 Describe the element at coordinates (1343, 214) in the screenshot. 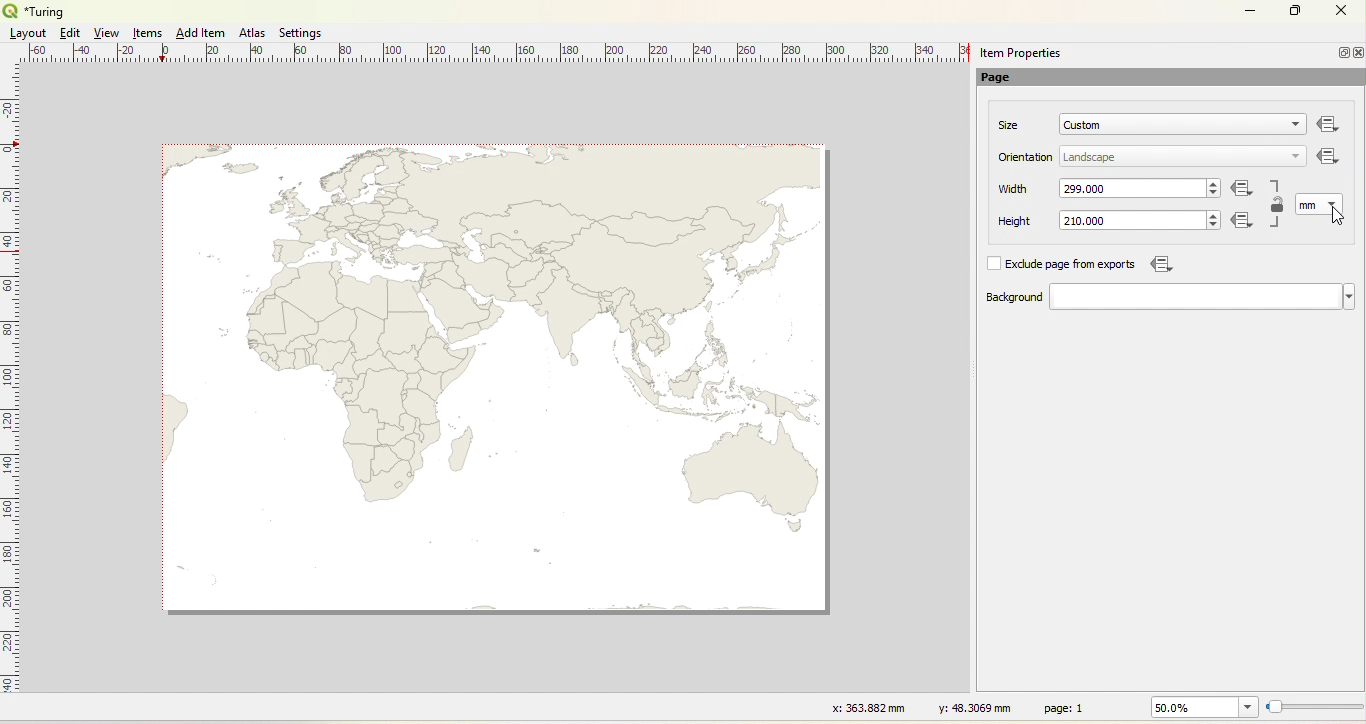

I see `cursor` at that location.